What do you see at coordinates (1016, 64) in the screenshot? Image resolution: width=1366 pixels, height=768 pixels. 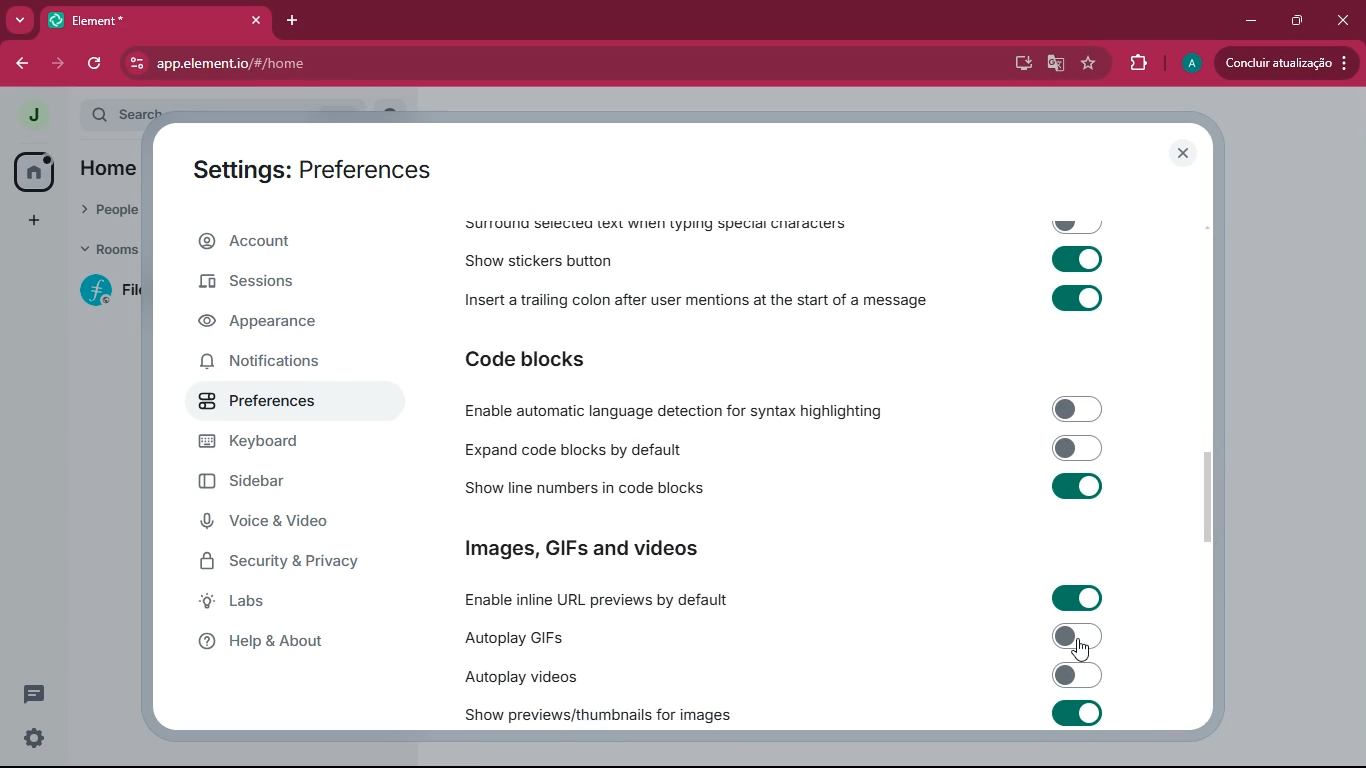 I see `desktop` at bounding box center [1016, 64].